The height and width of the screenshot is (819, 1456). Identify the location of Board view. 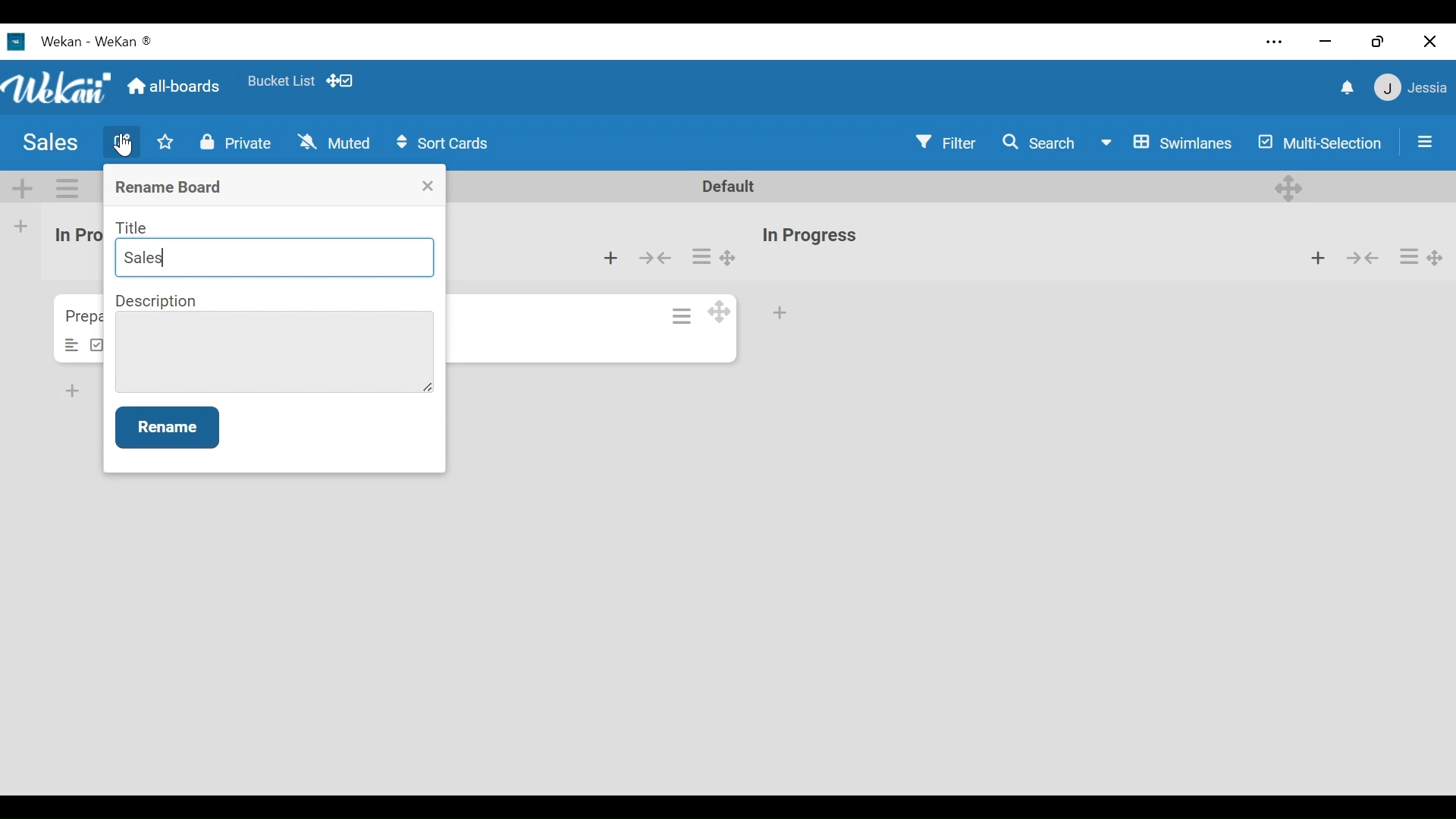
(1170, 145).